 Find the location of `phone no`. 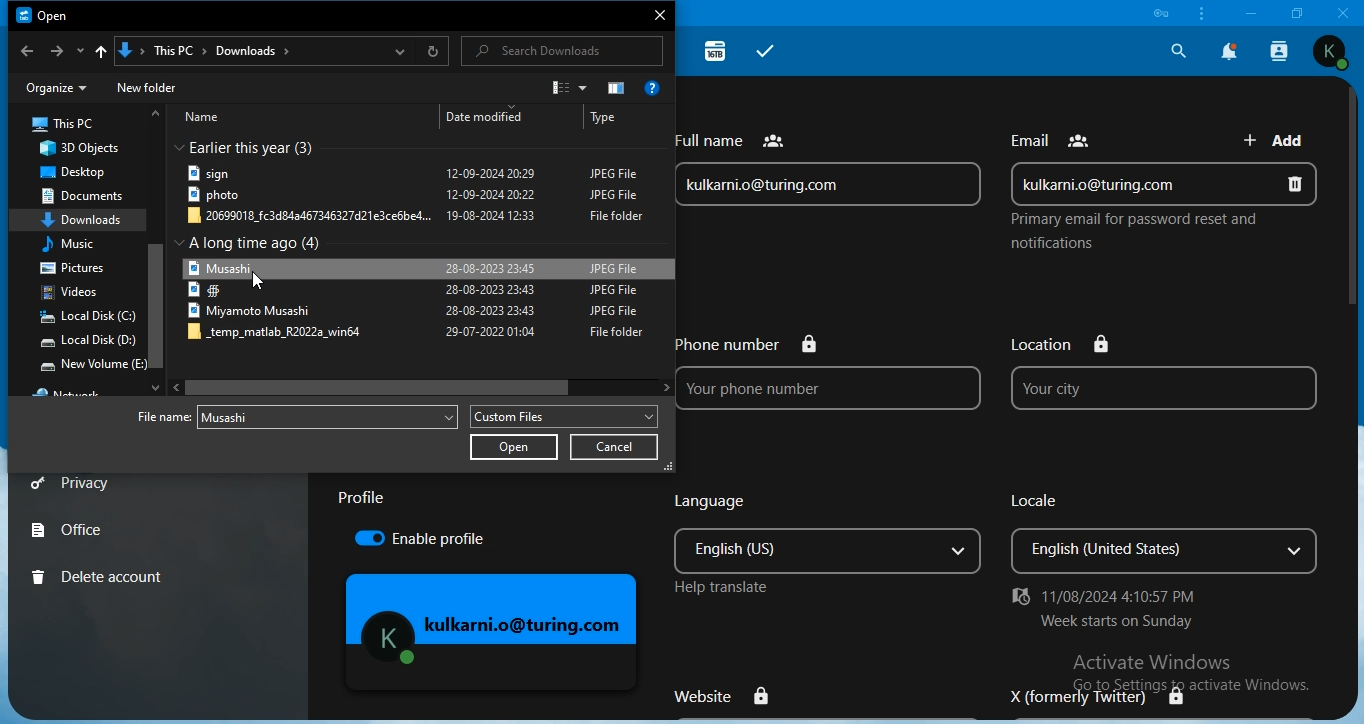

phone no is located at coordinates (836, 373).